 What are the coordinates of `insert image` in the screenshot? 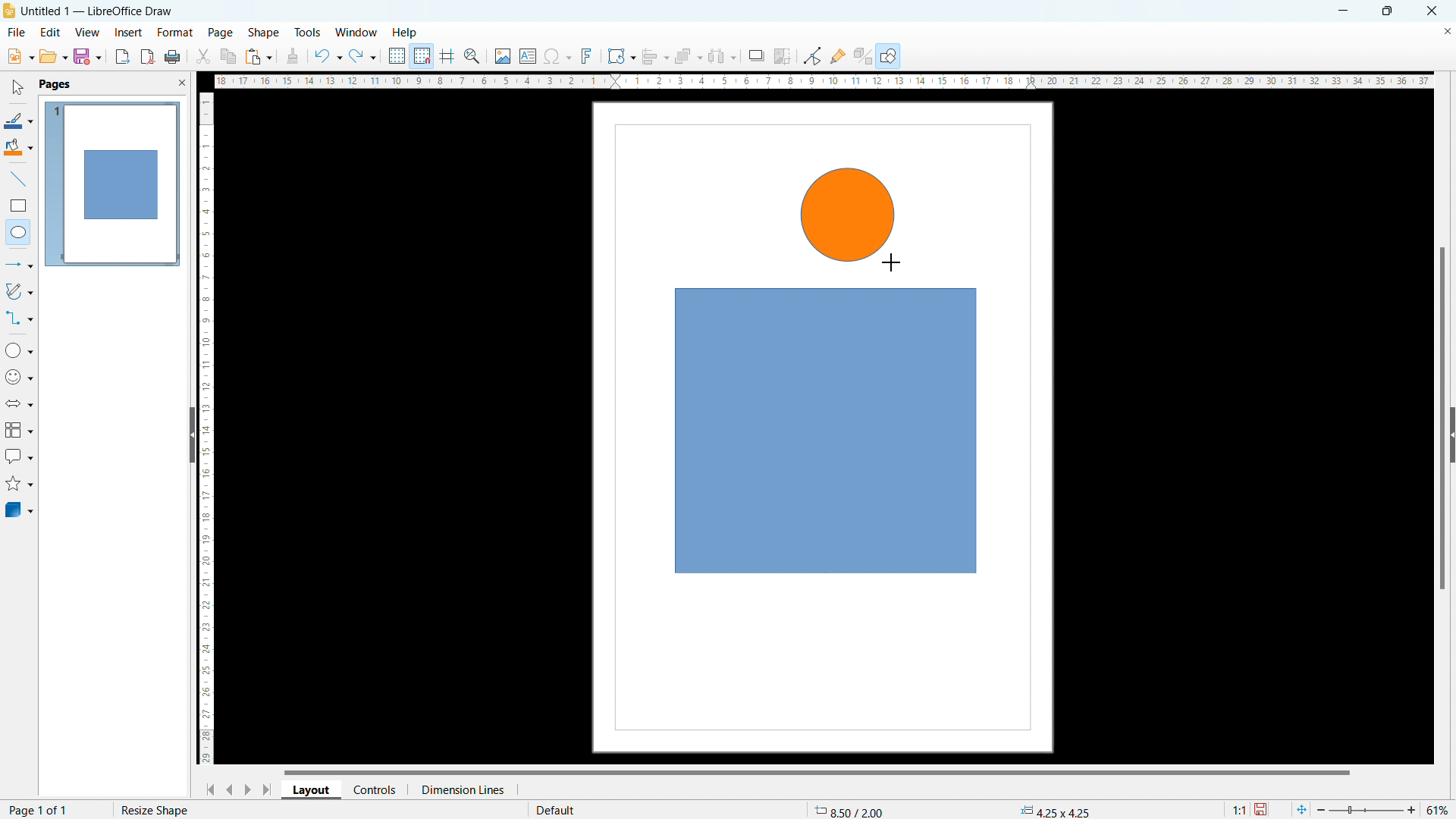 It's located at (502, 56).